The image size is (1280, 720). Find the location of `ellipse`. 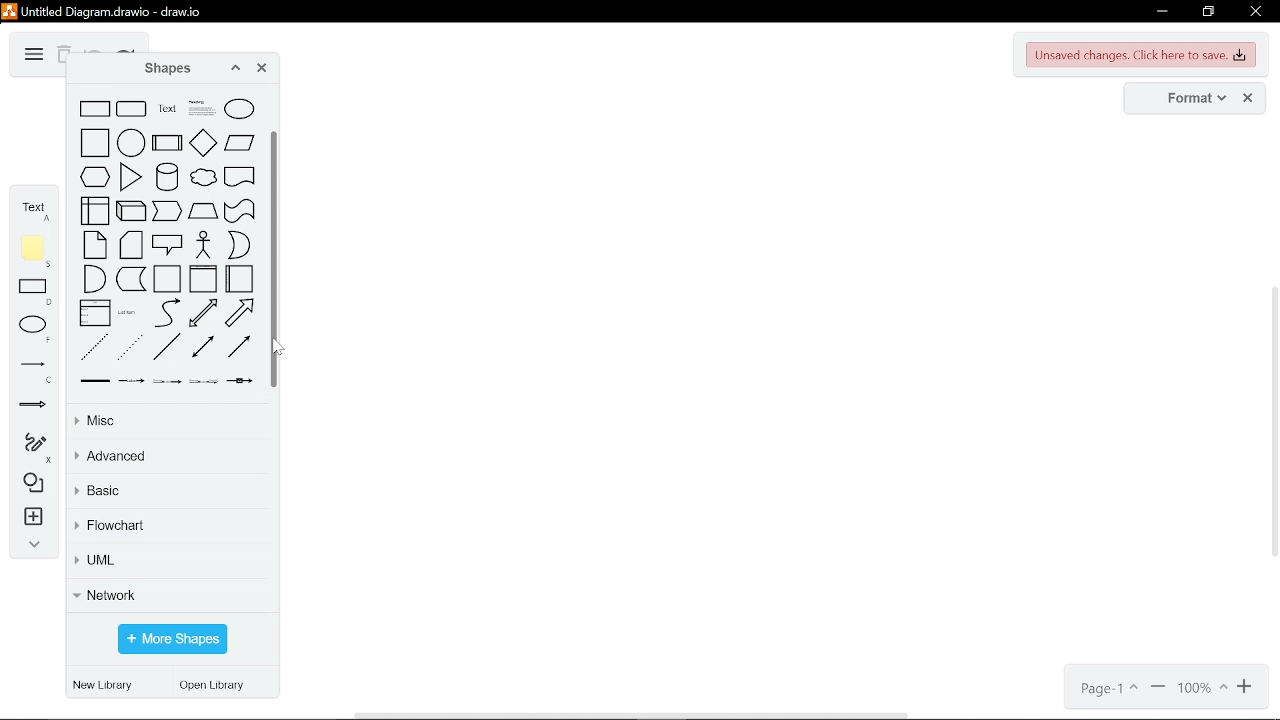

ellipse is located at coordinates (239, 109).